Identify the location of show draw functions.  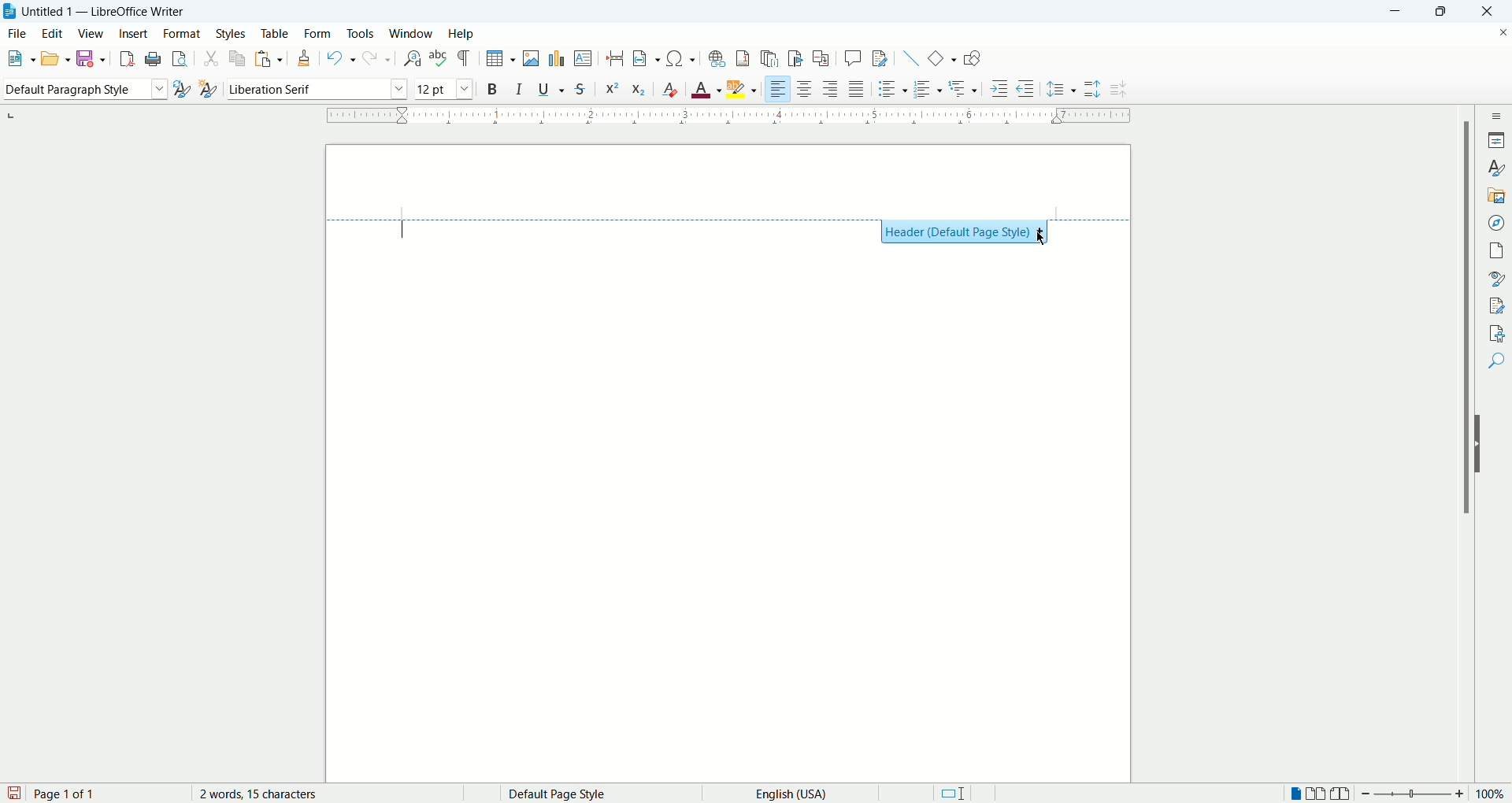
(972, 58).